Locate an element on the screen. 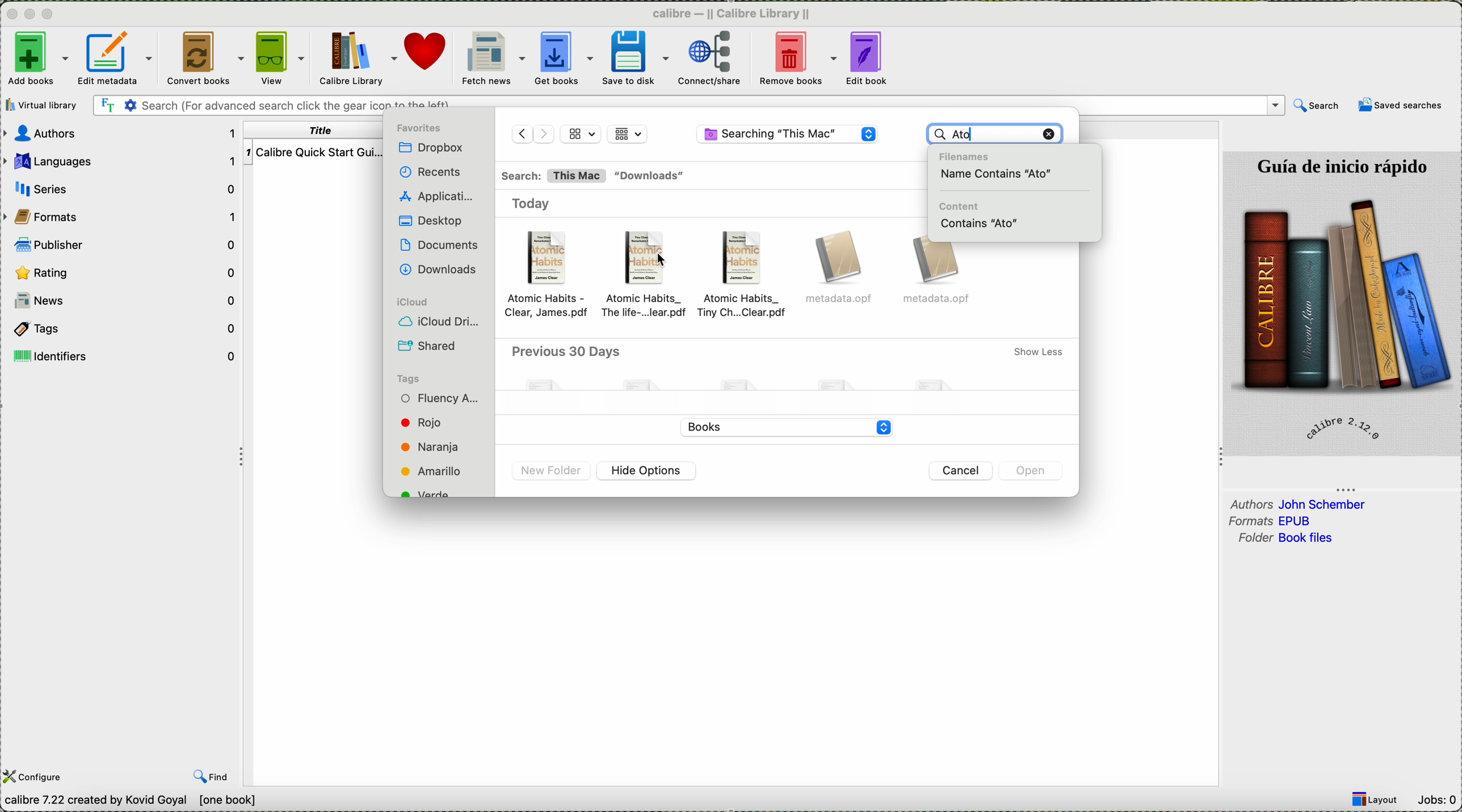  downloads is located at coordinates (439, 269).